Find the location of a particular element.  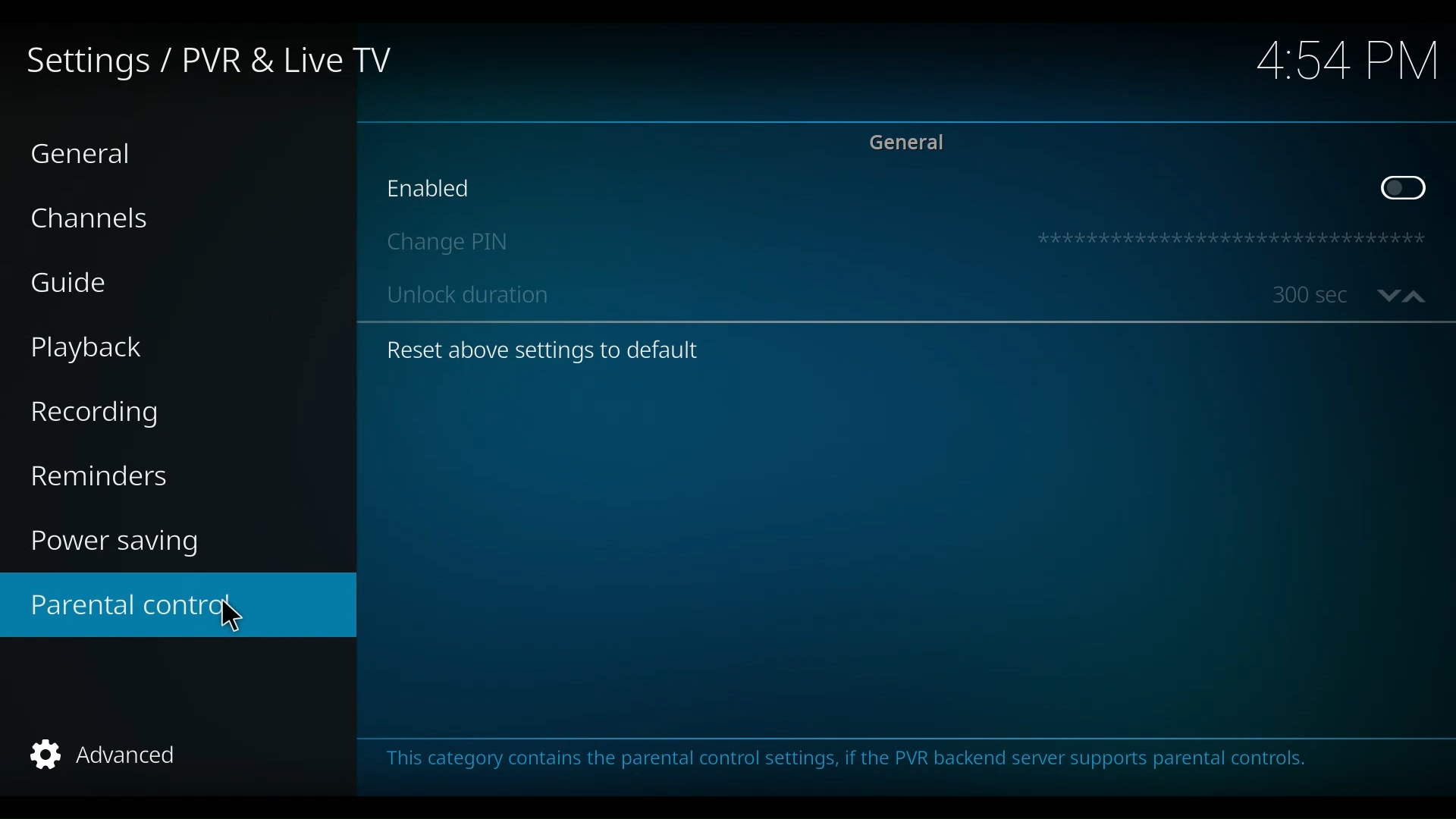

General is located at coordinates (906, 142).